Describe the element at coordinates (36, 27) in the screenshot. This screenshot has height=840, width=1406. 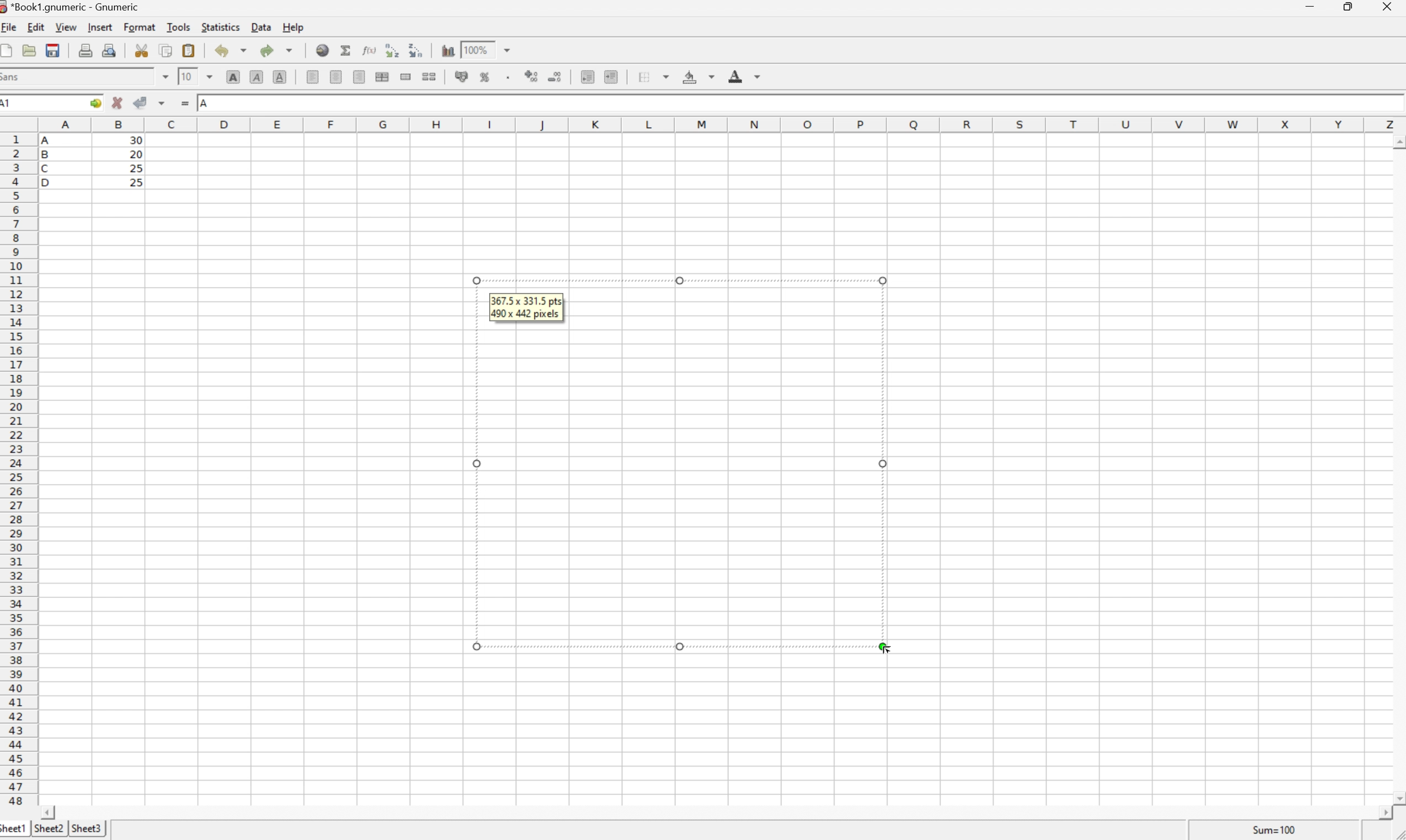
I see `Edit` at that location.